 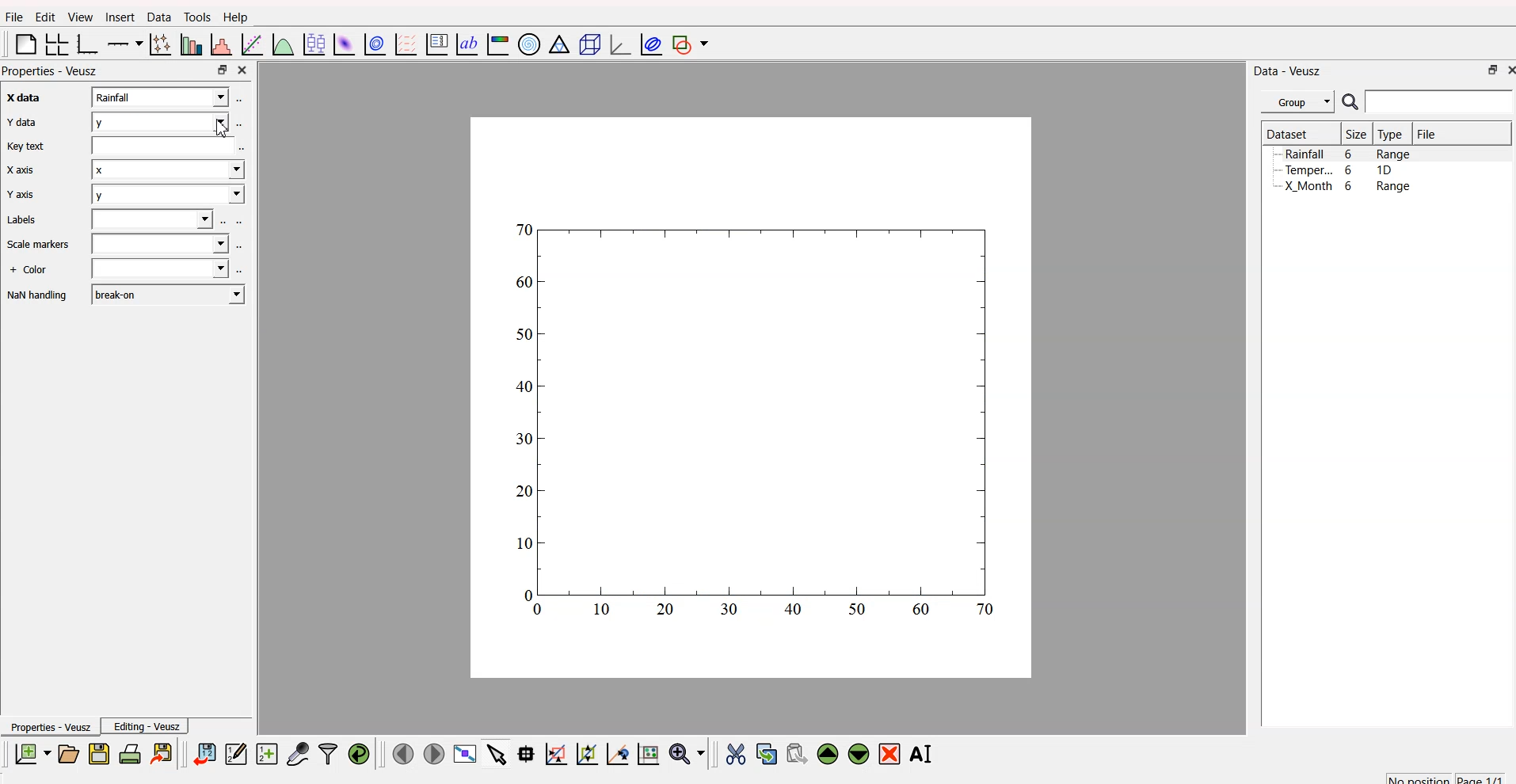 I want to click on select items from graph, so click(x=495, y=755).